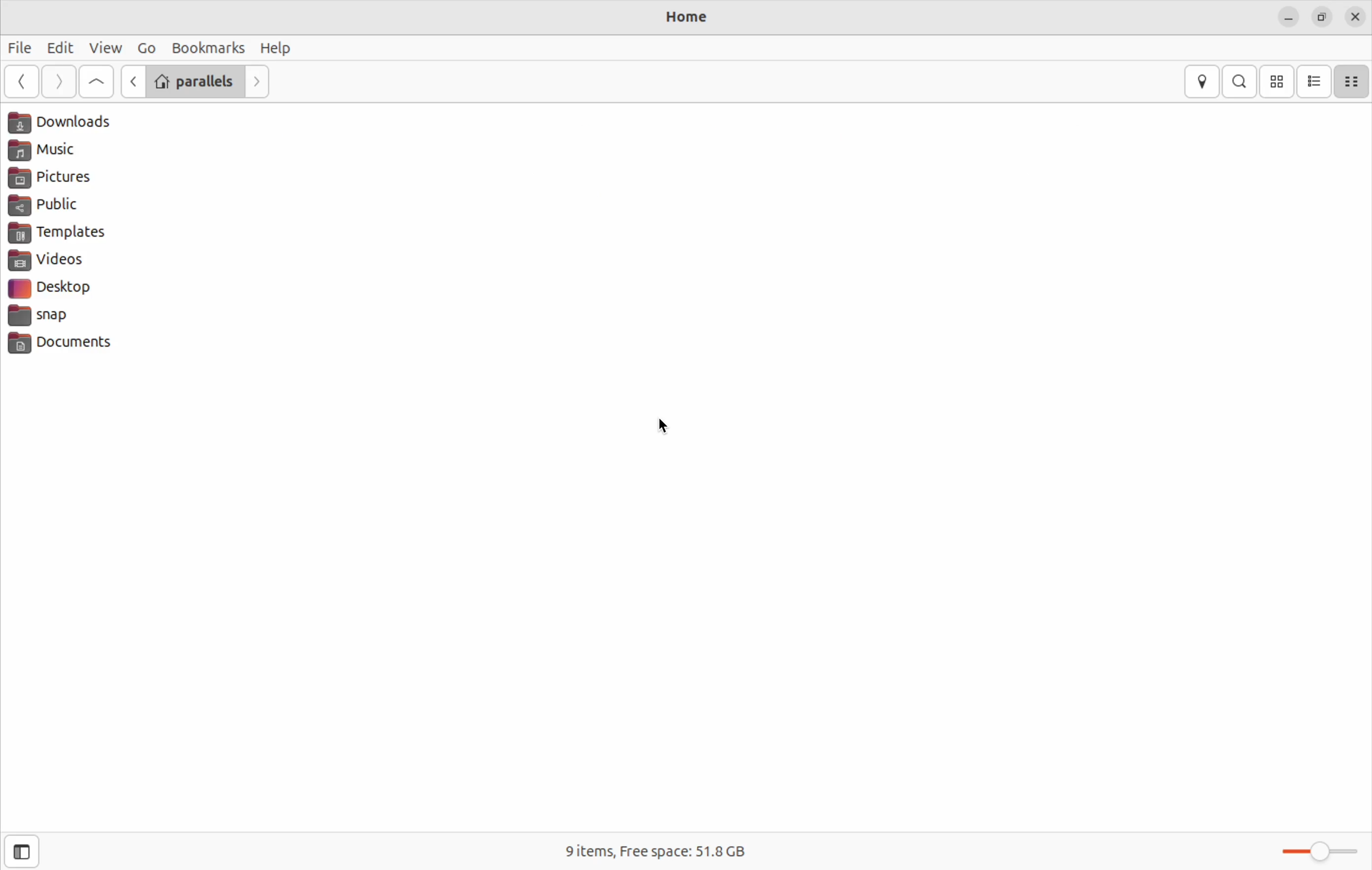  Describe the element at coordinates (1278, 82) in the screenshot. I see `icon view` at that location.